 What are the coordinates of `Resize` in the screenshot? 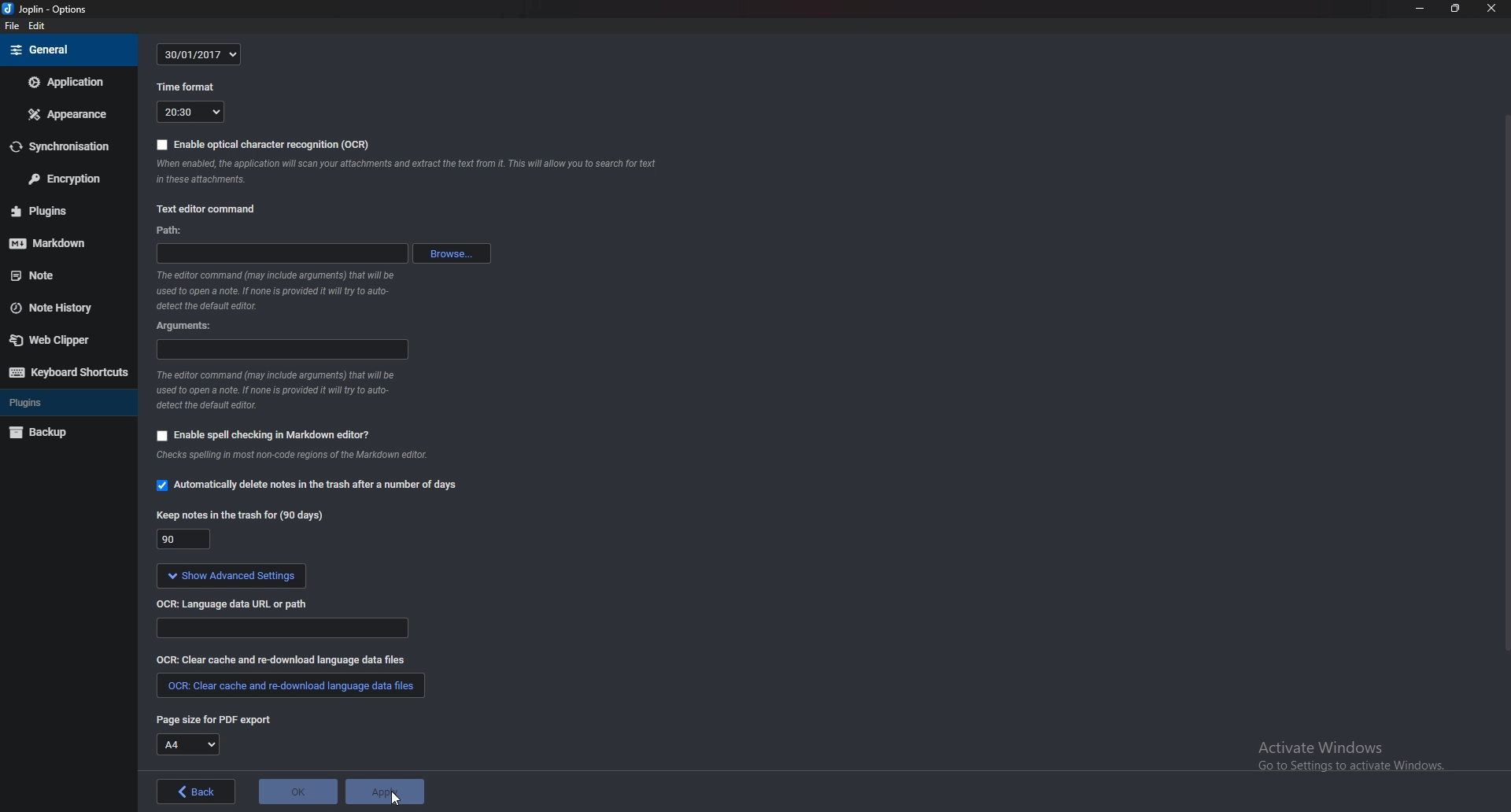 It's located at (1453, 9).